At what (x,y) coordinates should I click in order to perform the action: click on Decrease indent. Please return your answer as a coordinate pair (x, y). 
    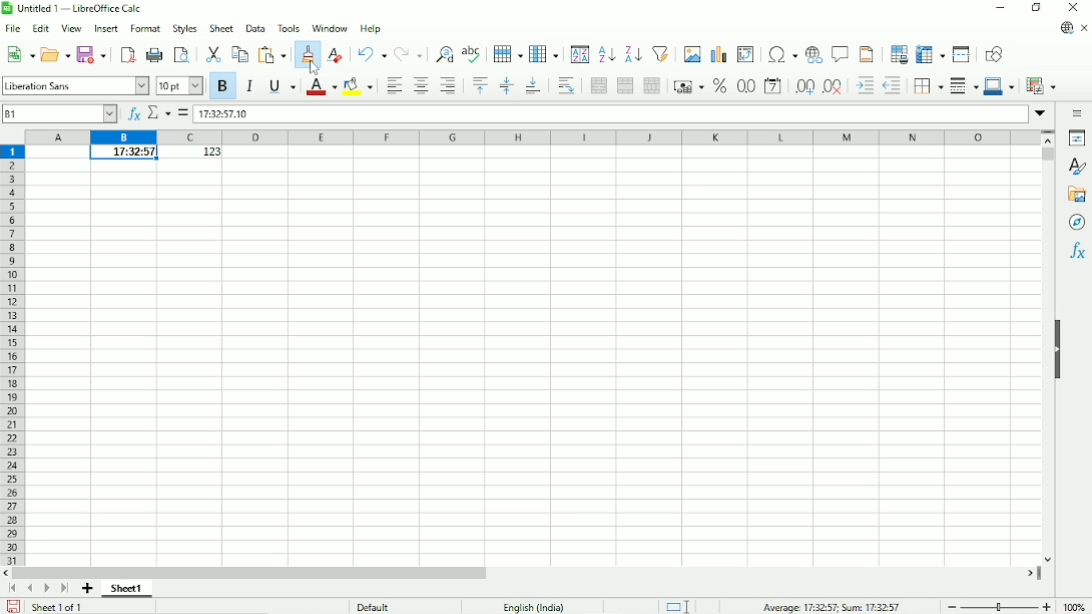
    Looking at the image, I should click on (891, 85).